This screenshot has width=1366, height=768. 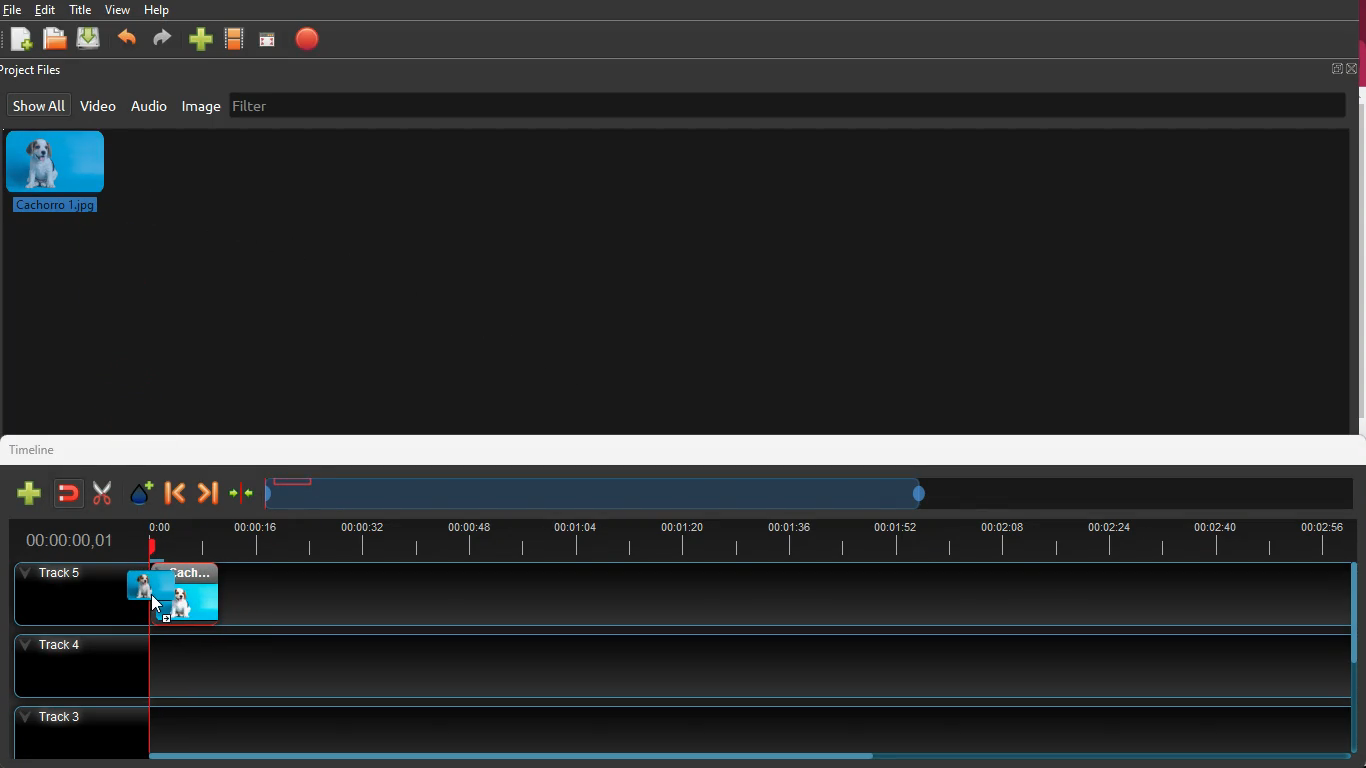 What do you see at coordinates (25, 494) in the screenshot?
I see `add` at bounding box center [25, 494].